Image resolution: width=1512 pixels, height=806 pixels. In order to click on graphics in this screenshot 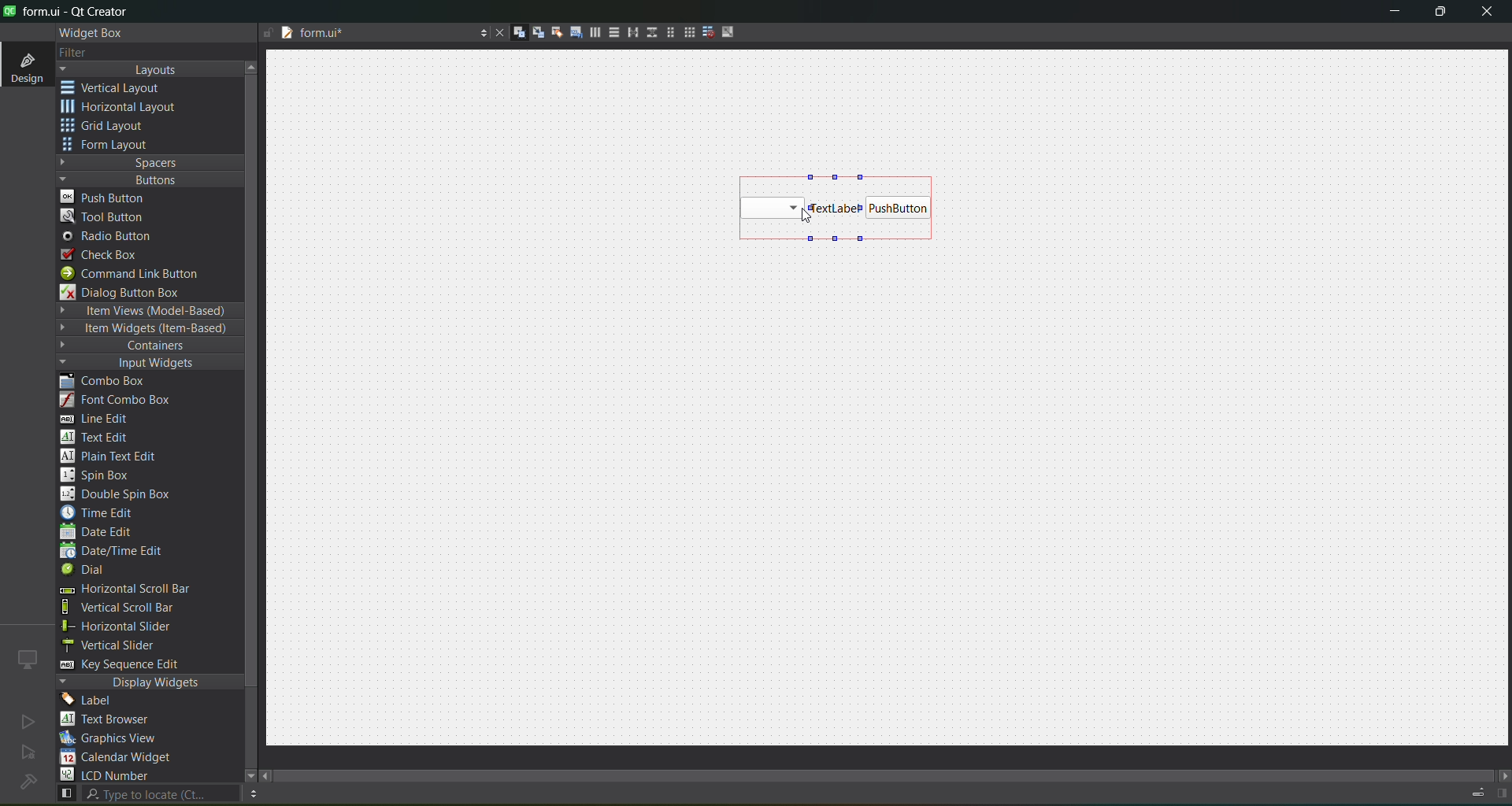, I will do `click(115, 738)`.